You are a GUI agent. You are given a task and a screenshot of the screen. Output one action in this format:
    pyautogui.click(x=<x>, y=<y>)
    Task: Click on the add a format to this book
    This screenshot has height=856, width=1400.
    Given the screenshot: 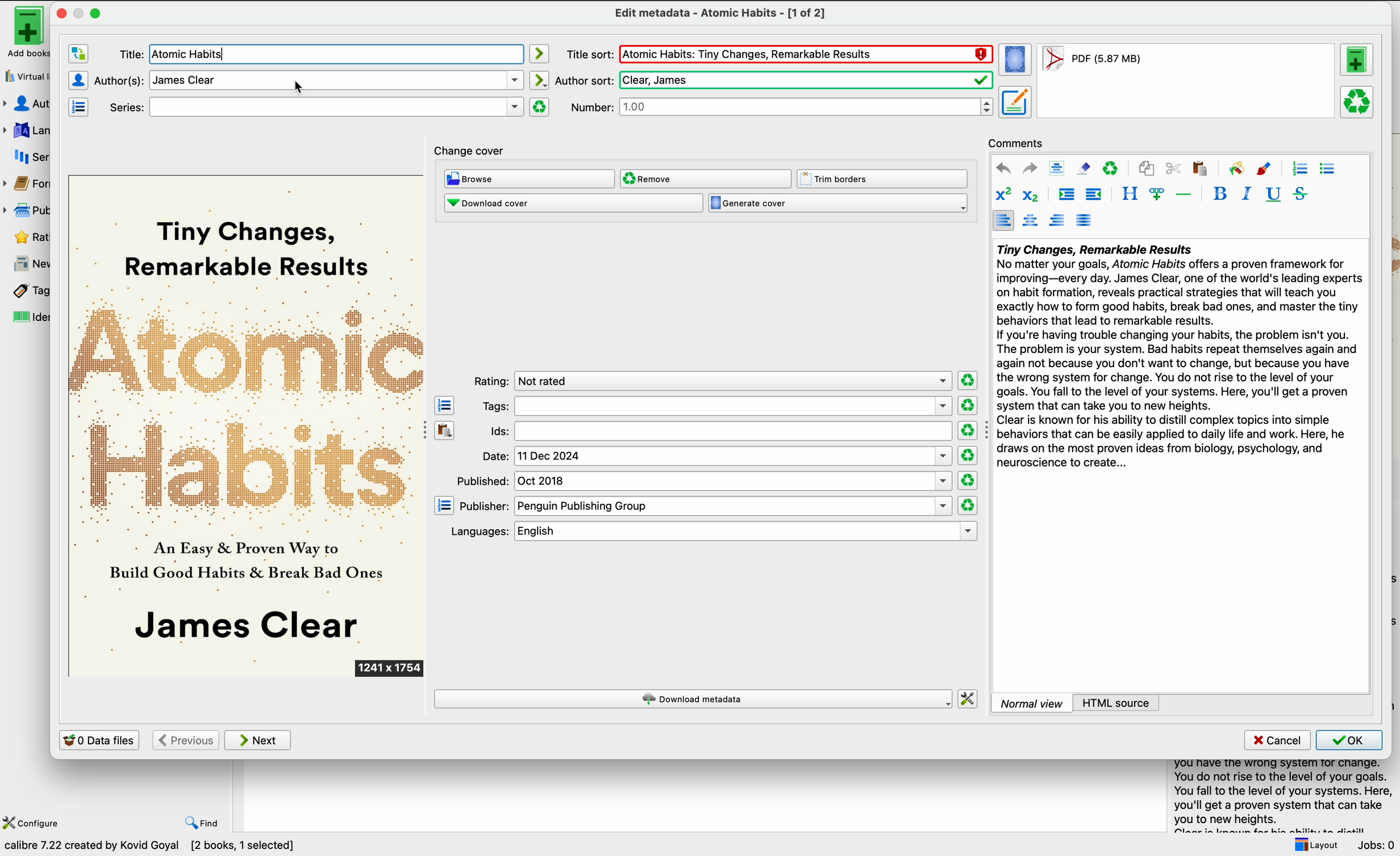 What is the action you would take?
    pyautogui.click(x=1359, y=62)
    